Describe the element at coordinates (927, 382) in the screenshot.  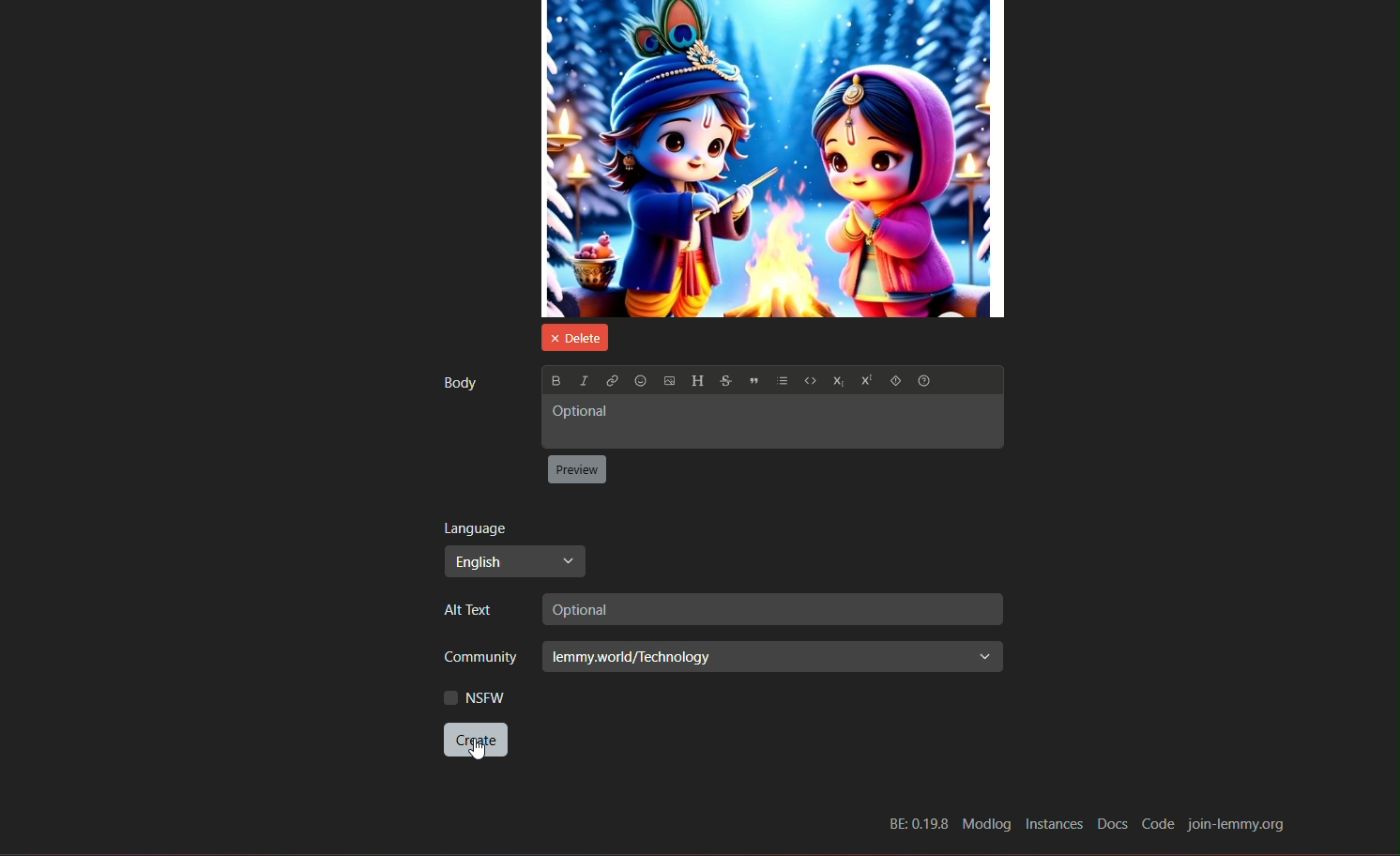
I see `` at that location.